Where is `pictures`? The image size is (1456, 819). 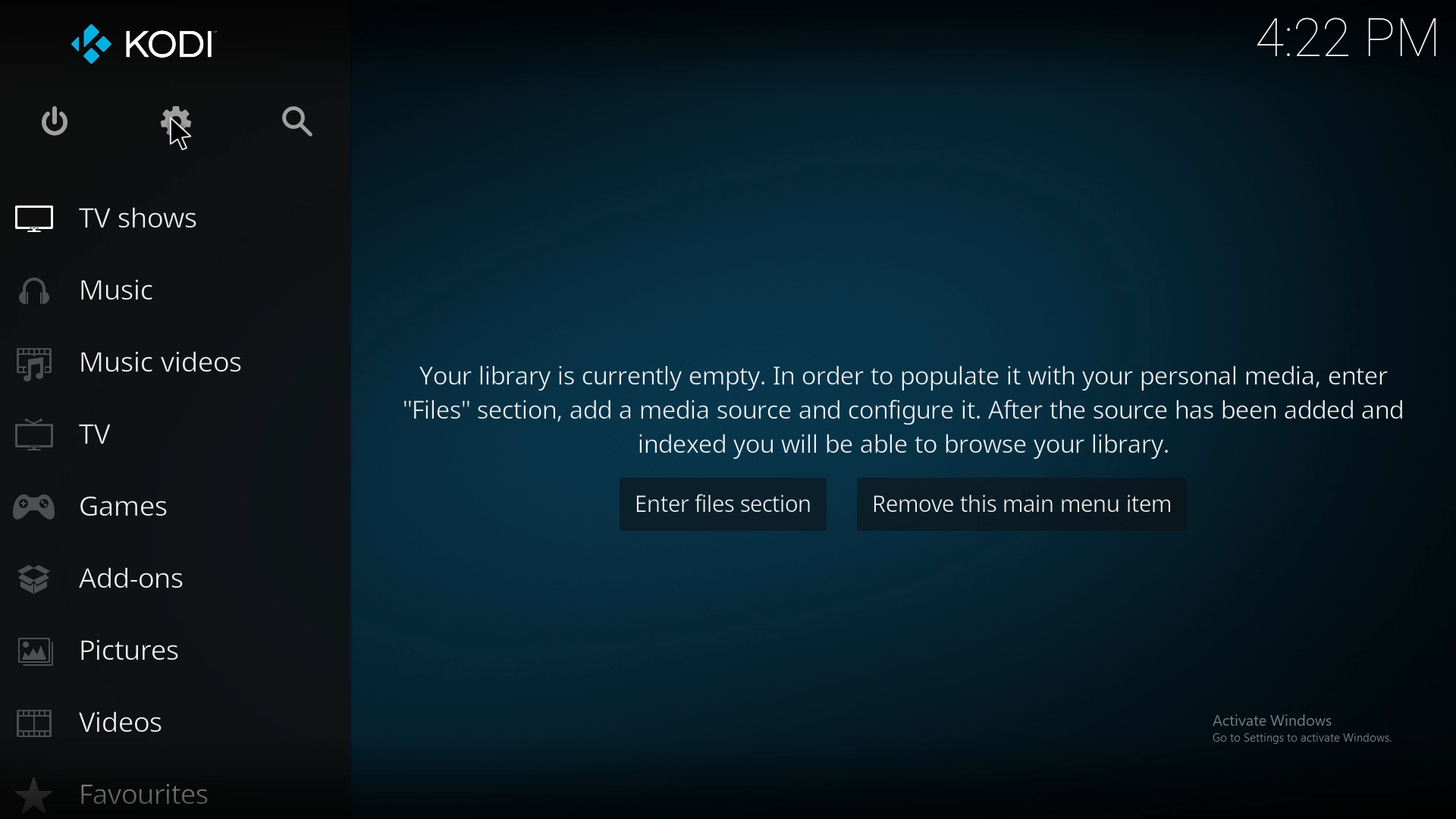 pictures is located at coordinates (152, 651).